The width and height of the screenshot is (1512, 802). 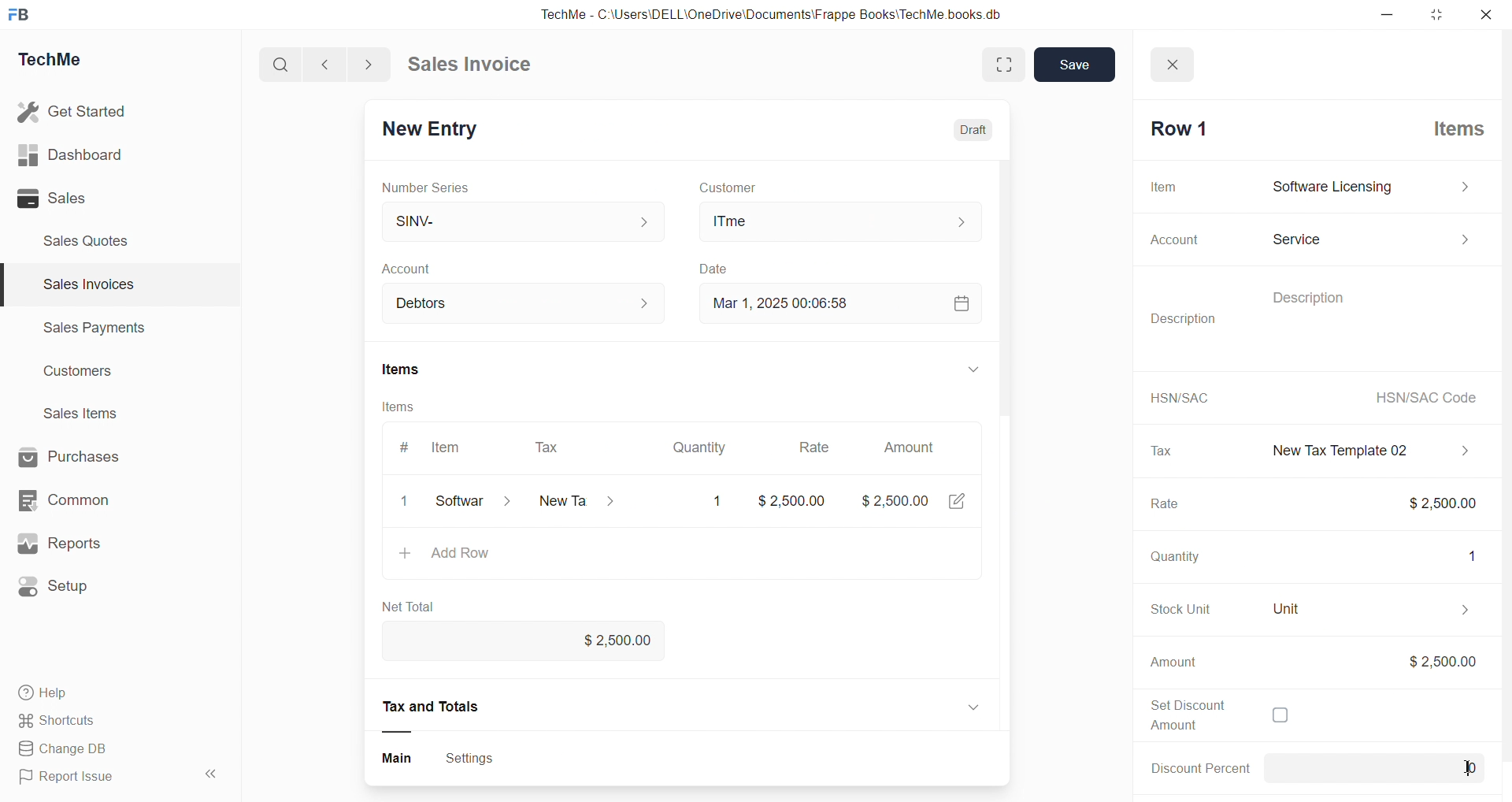 What do you see at coordinates (1075, 65) in the screenshot?
I see `Save` at bounding box center [1075, 65].